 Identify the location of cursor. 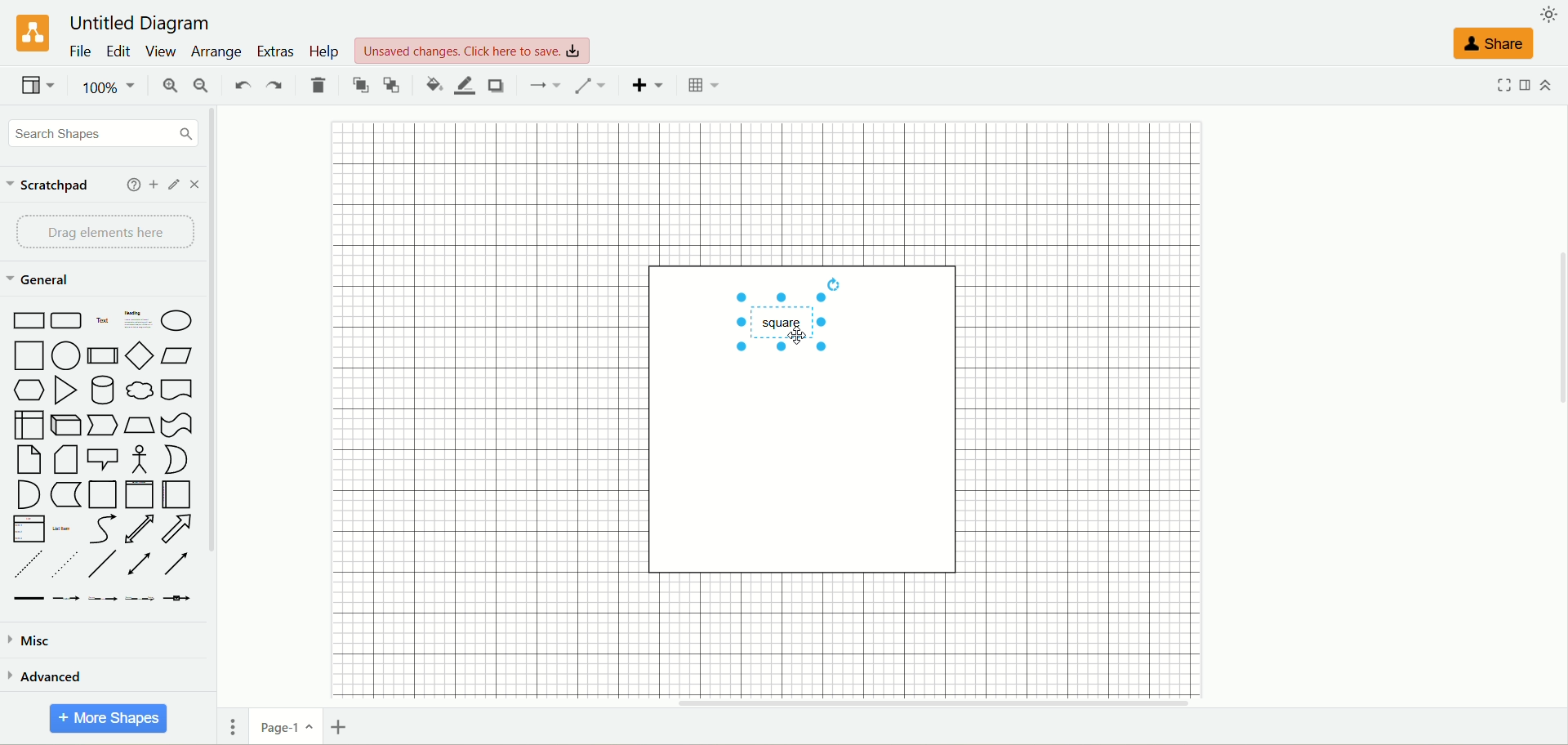
(801, 337).